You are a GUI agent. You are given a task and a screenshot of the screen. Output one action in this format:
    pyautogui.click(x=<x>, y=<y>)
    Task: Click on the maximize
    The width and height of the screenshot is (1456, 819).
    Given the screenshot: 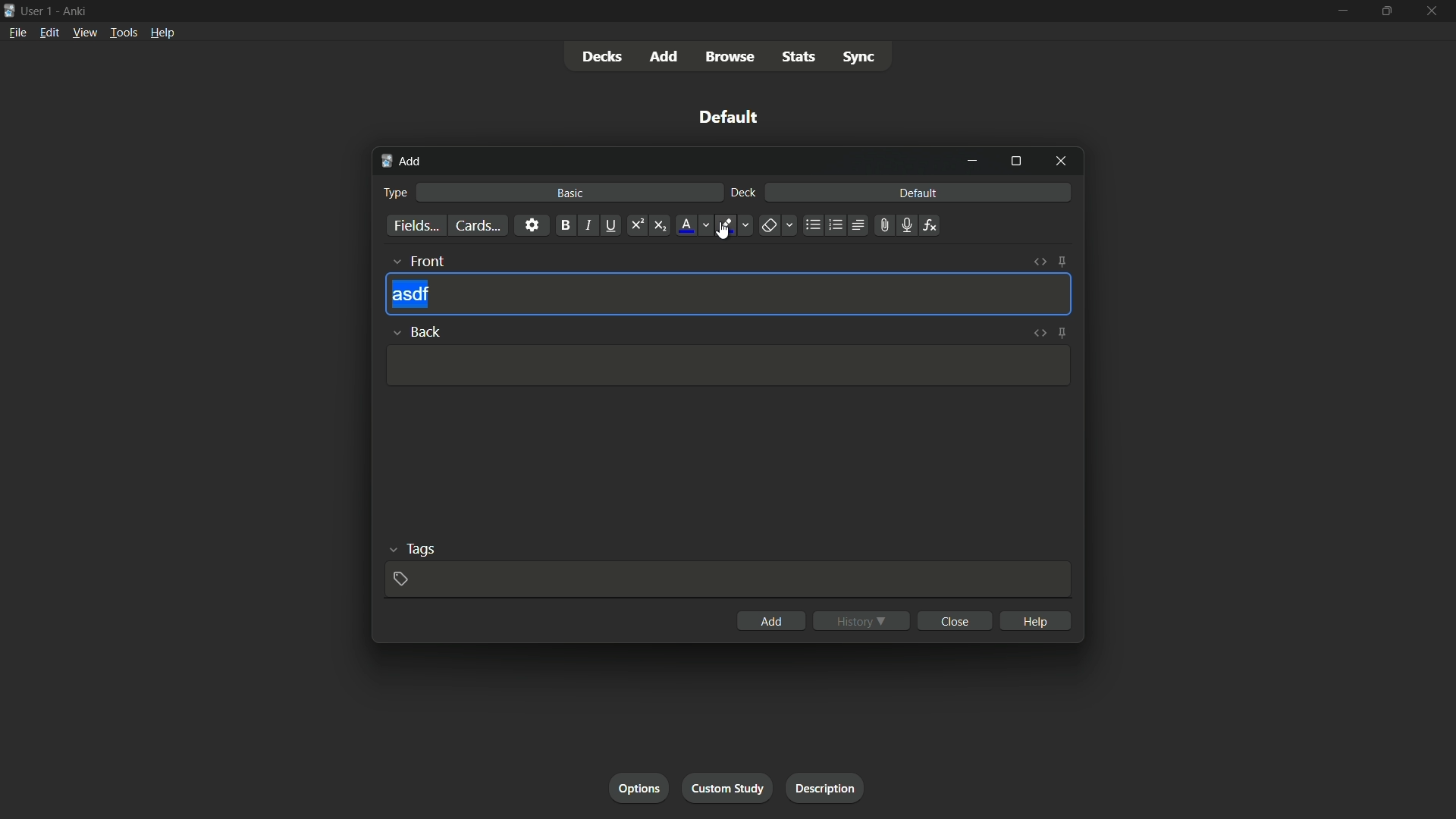 What is the action you would take?
    pyautogui.click(x=1385, y=10)
    